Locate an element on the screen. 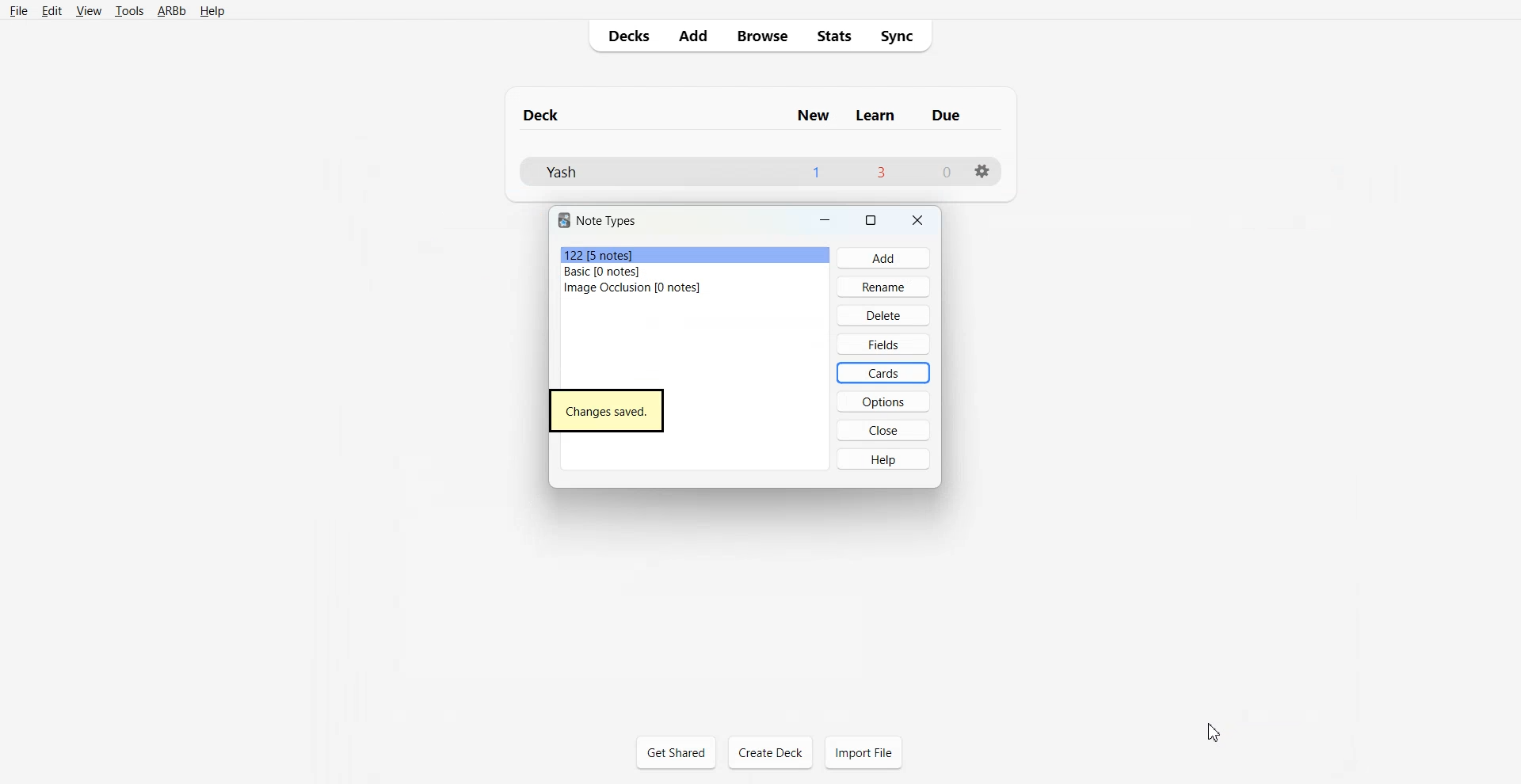  Close is located at coordinates (917, 221).